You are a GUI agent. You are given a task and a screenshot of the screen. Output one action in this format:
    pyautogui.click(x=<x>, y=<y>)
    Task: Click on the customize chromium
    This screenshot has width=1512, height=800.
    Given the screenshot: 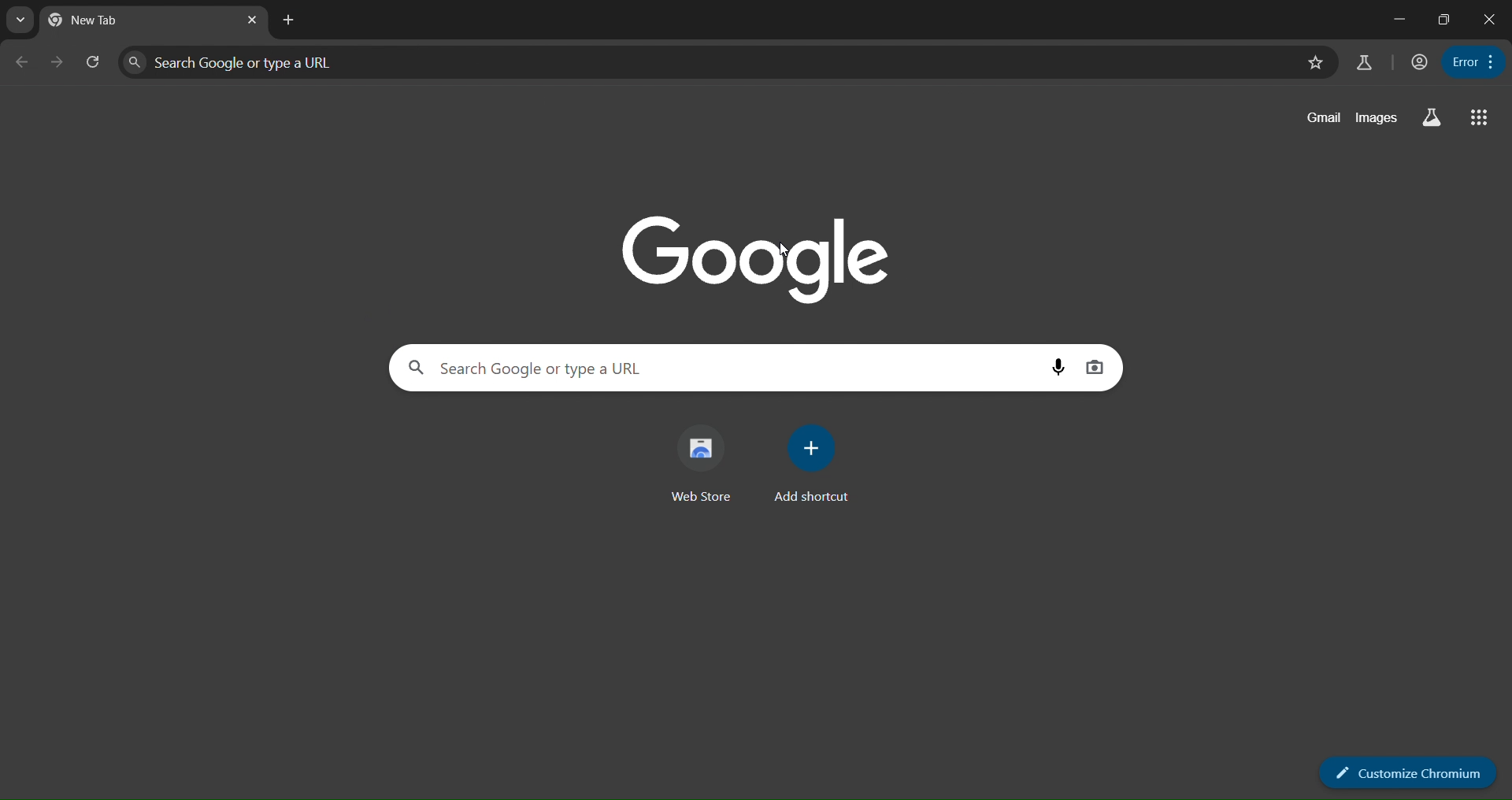 What is the action you would take?
    pyautogui.click(x=1409, y=776)
    